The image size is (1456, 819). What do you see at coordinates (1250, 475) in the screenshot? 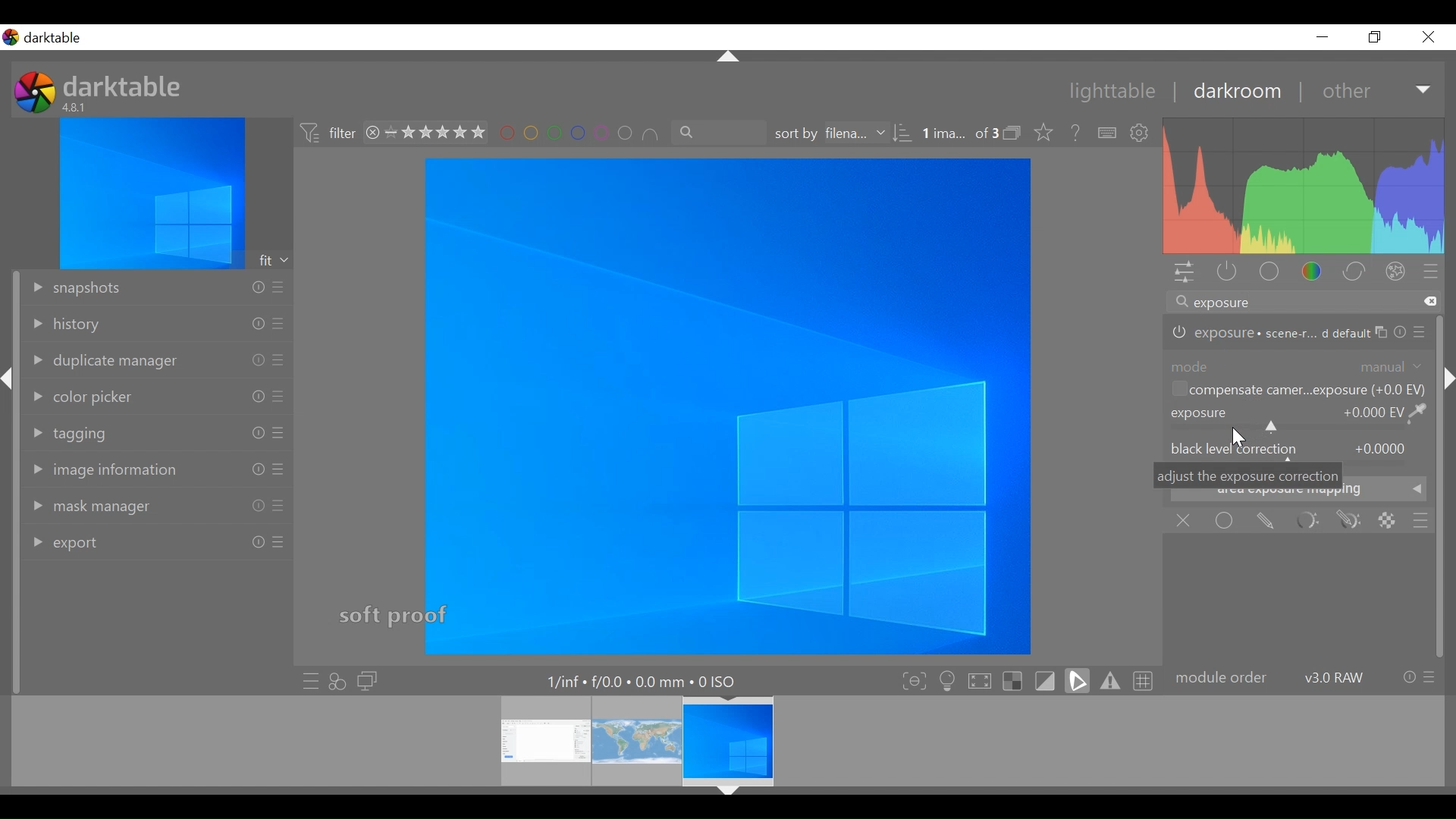
I see `Tooltip` at bounding box center [1250, 475].